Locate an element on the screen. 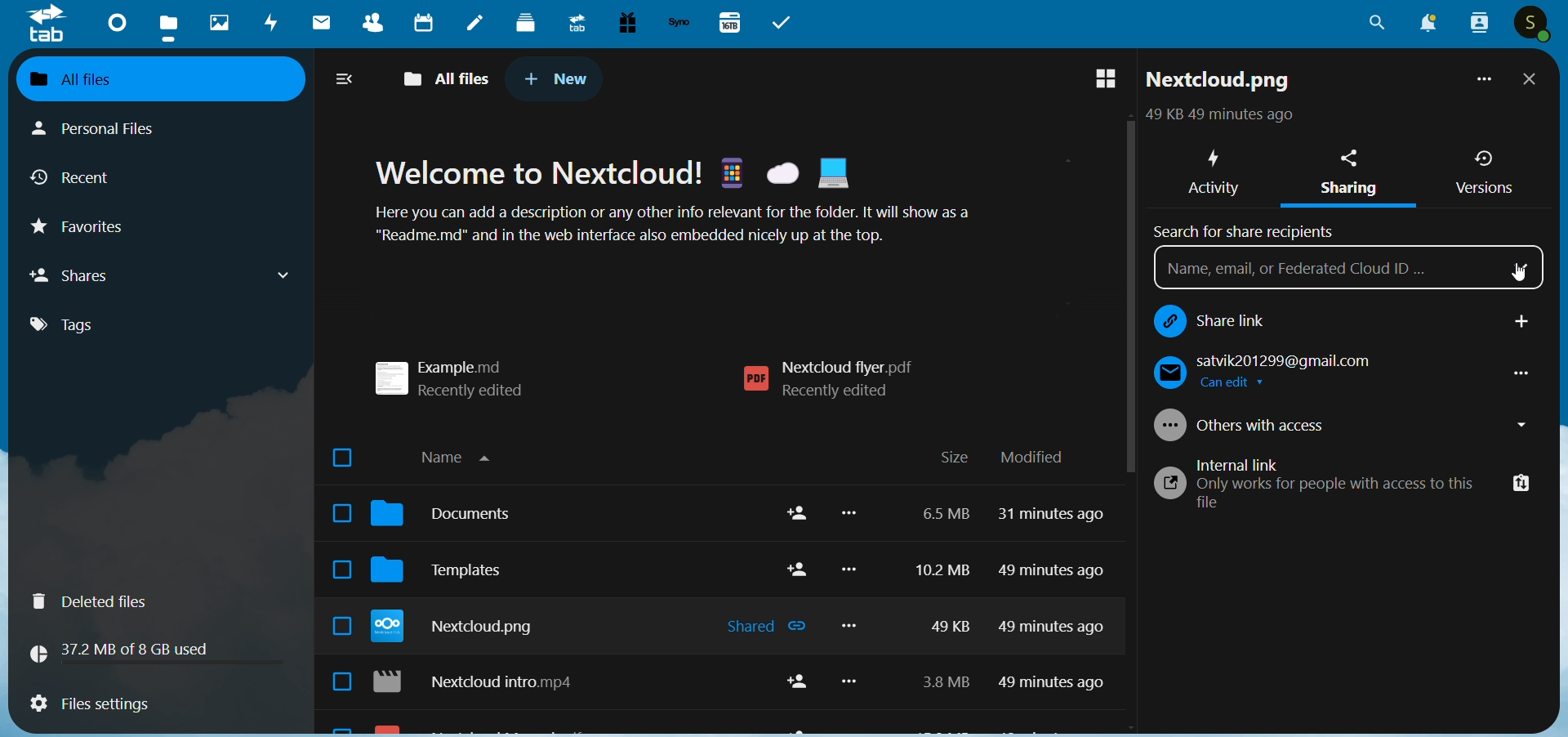  file size  is located at coordinates (938, 603).